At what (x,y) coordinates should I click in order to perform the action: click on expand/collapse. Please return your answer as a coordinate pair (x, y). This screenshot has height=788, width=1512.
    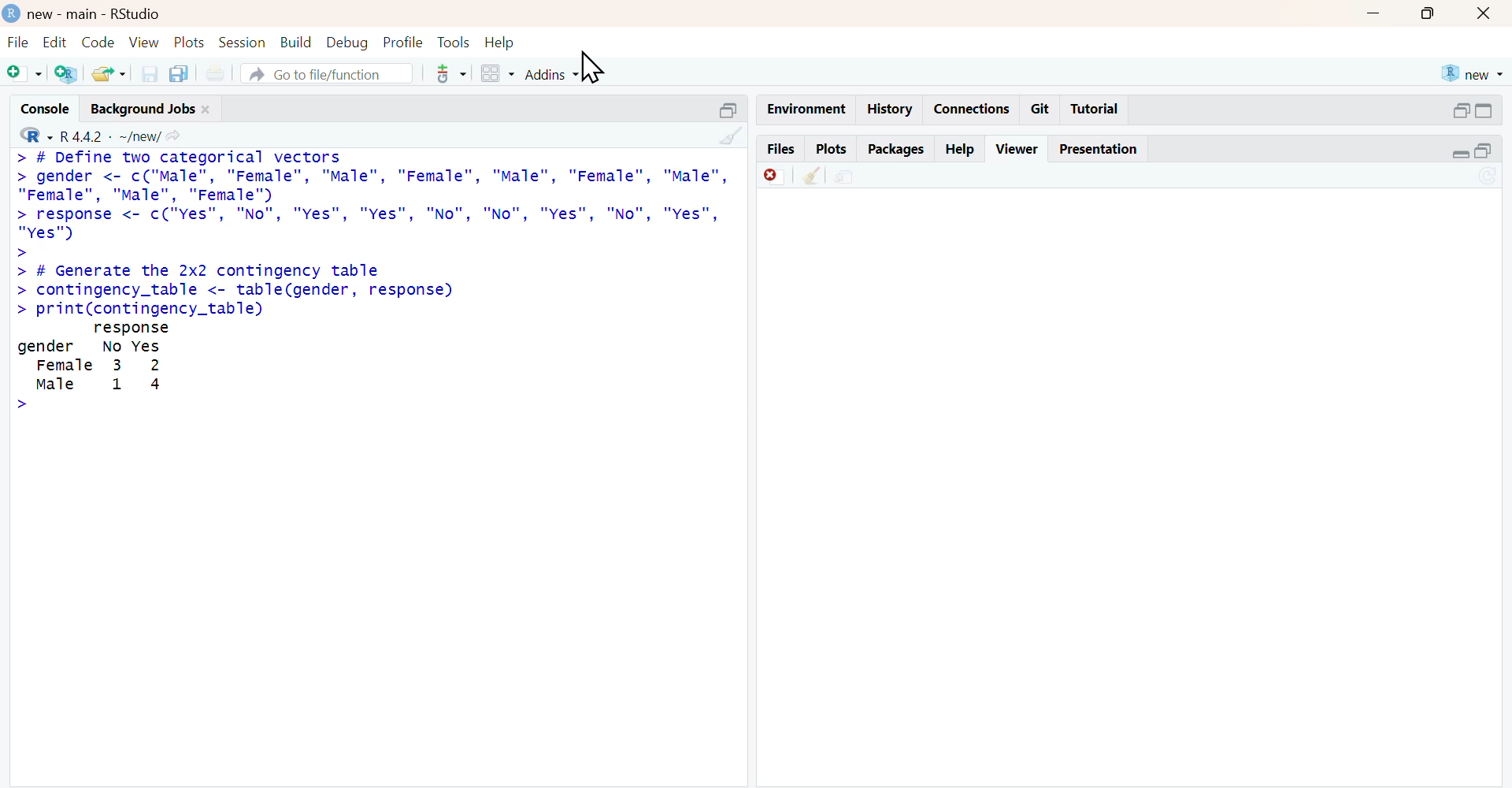
    Looking at the image, I should click on (1485, 111).